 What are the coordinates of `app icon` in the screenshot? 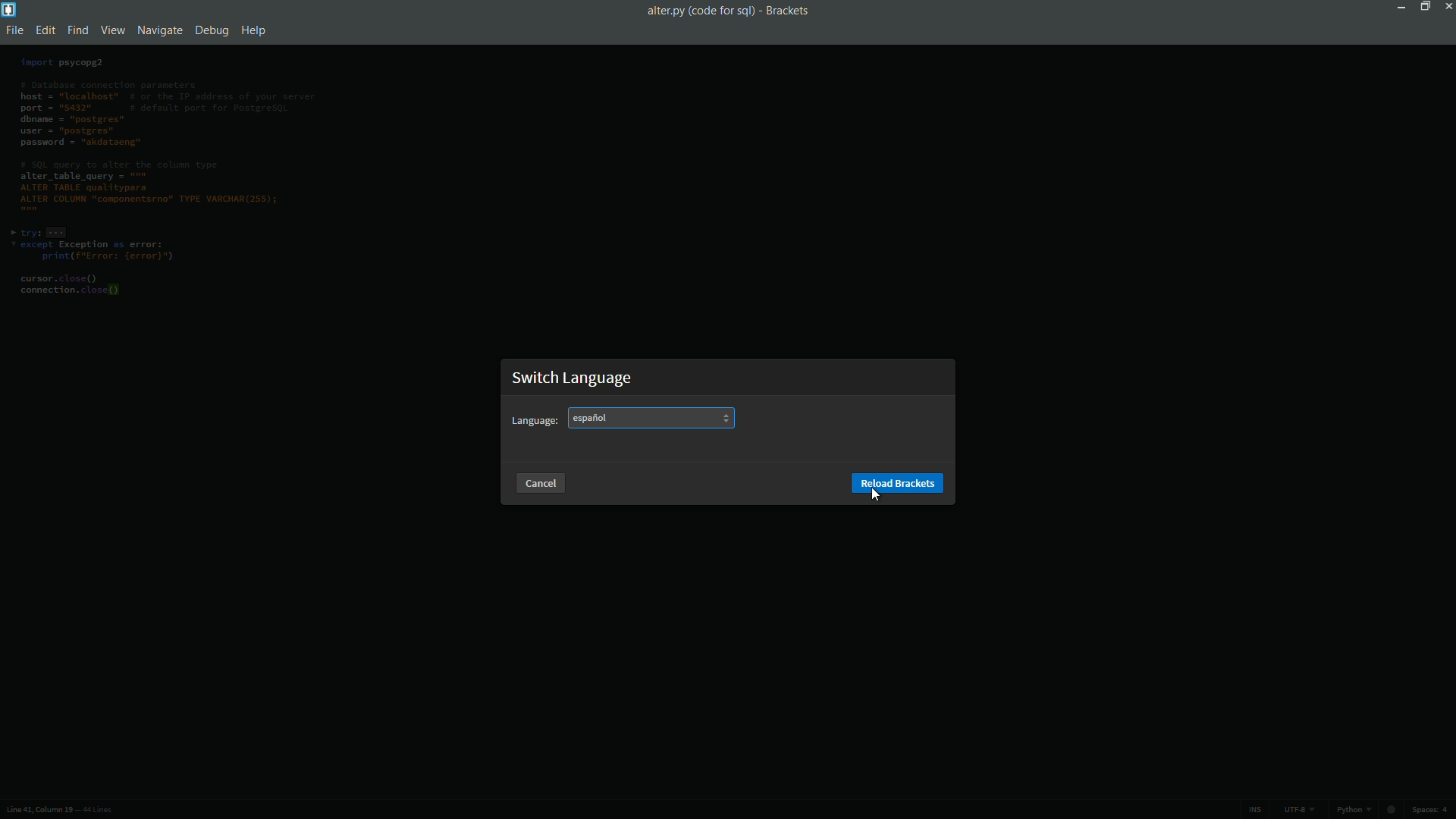 It's located at (9, 9).